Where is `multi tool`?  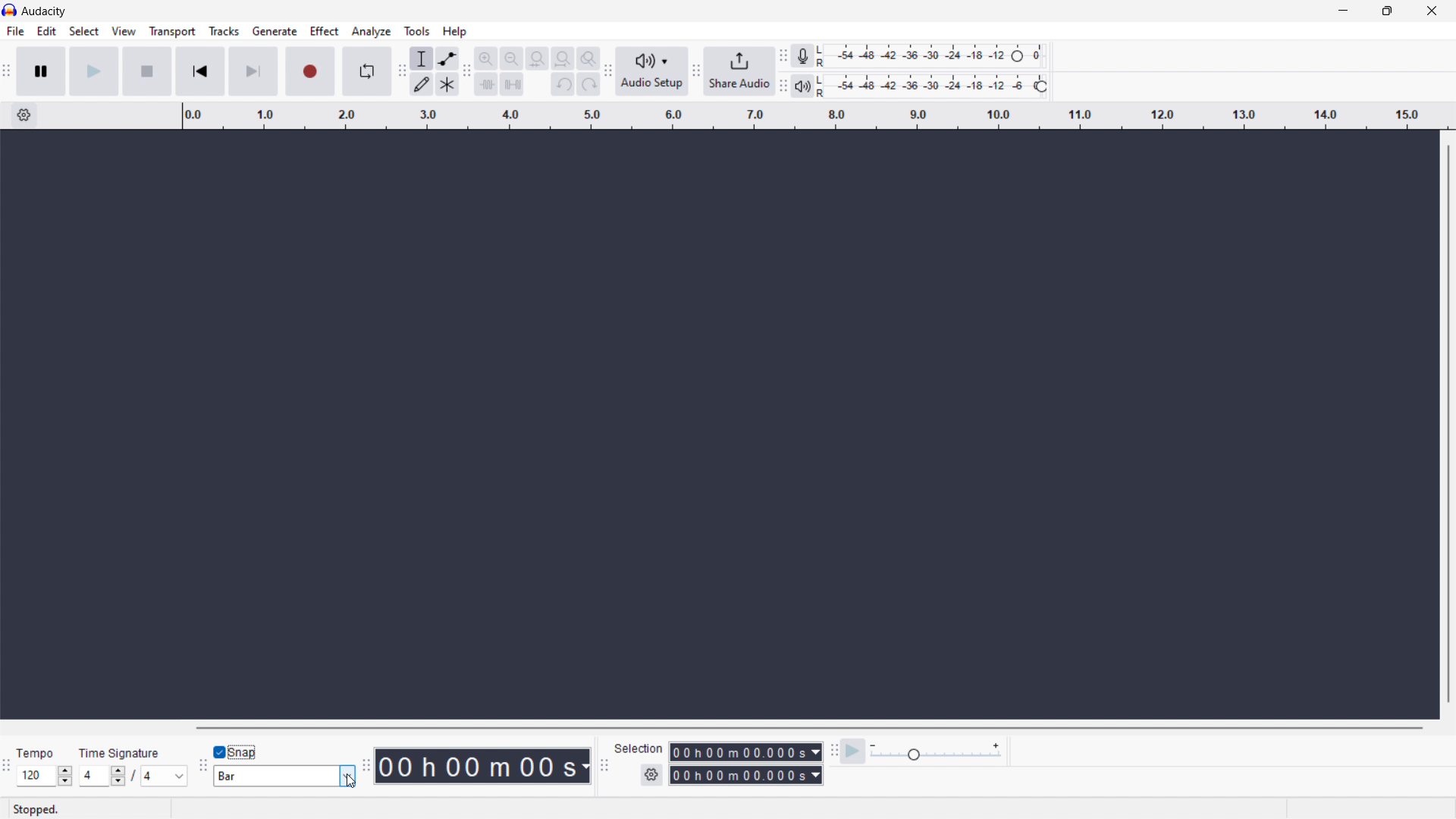
multi tool is located at coordinates (447, 85).